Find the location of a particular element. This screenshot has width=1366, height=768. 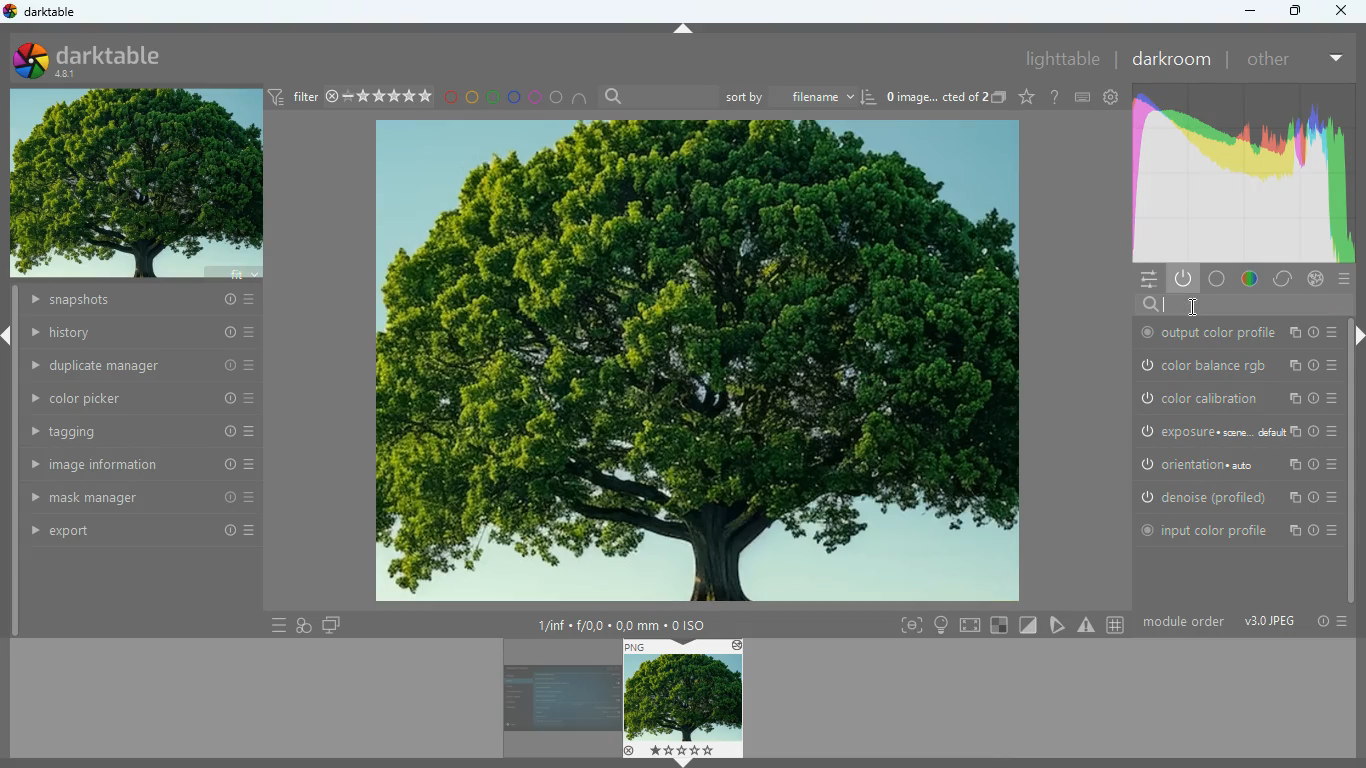

image information is located at coordinates (143, 465).